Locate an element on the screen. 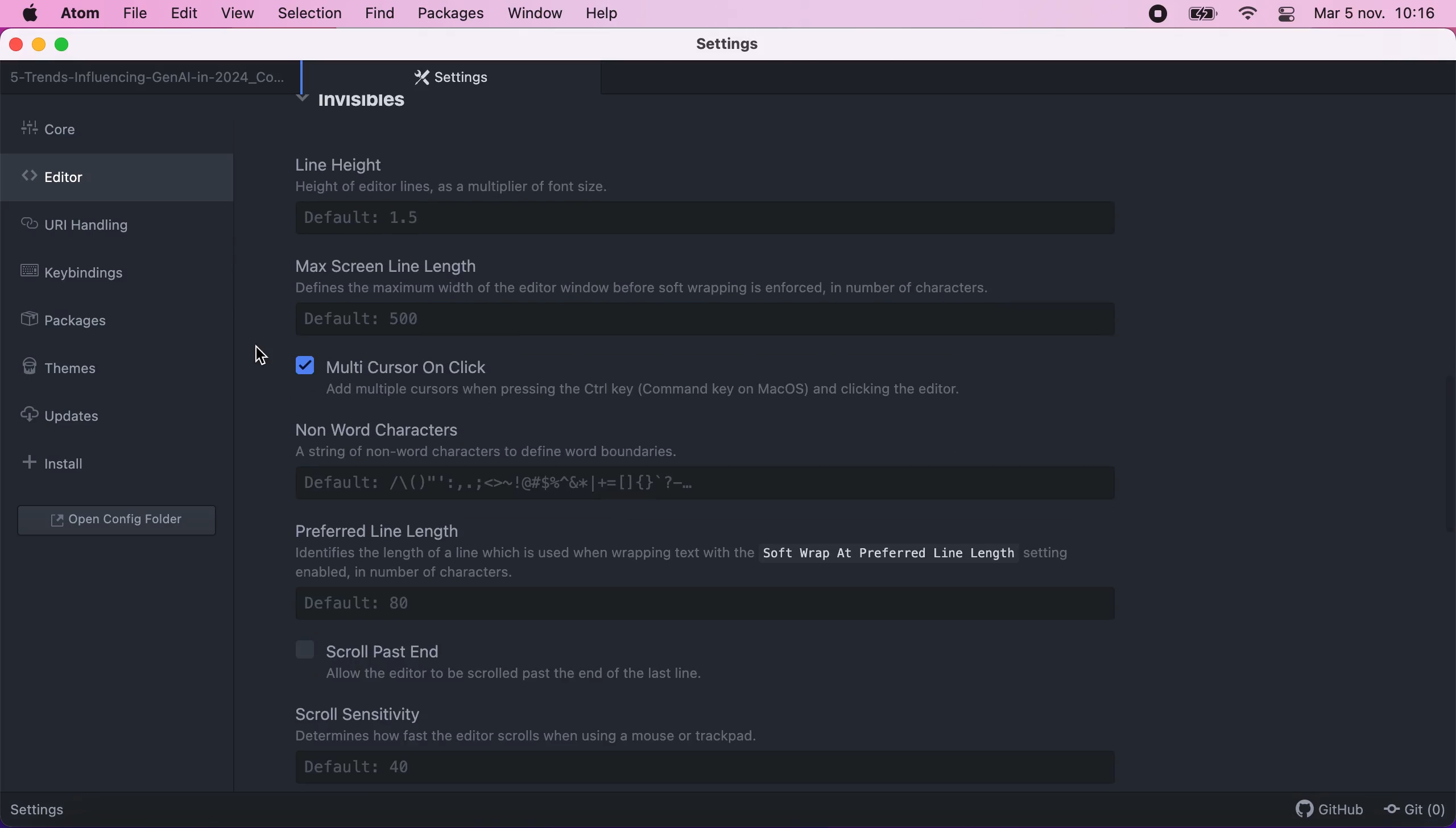 The height and width of the screenshot is (828, 1456). settings is located at coordinates (47, 808).